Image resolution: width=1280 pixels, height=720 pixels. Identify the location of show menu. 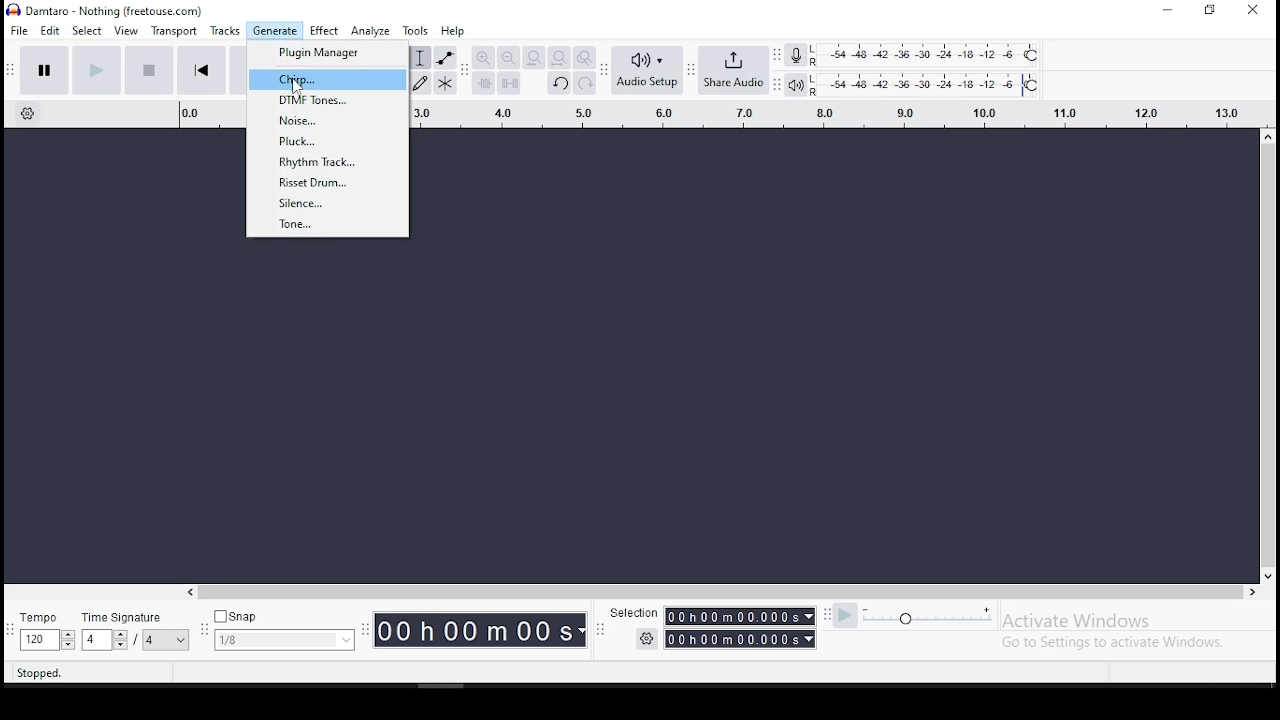
(600, 635).